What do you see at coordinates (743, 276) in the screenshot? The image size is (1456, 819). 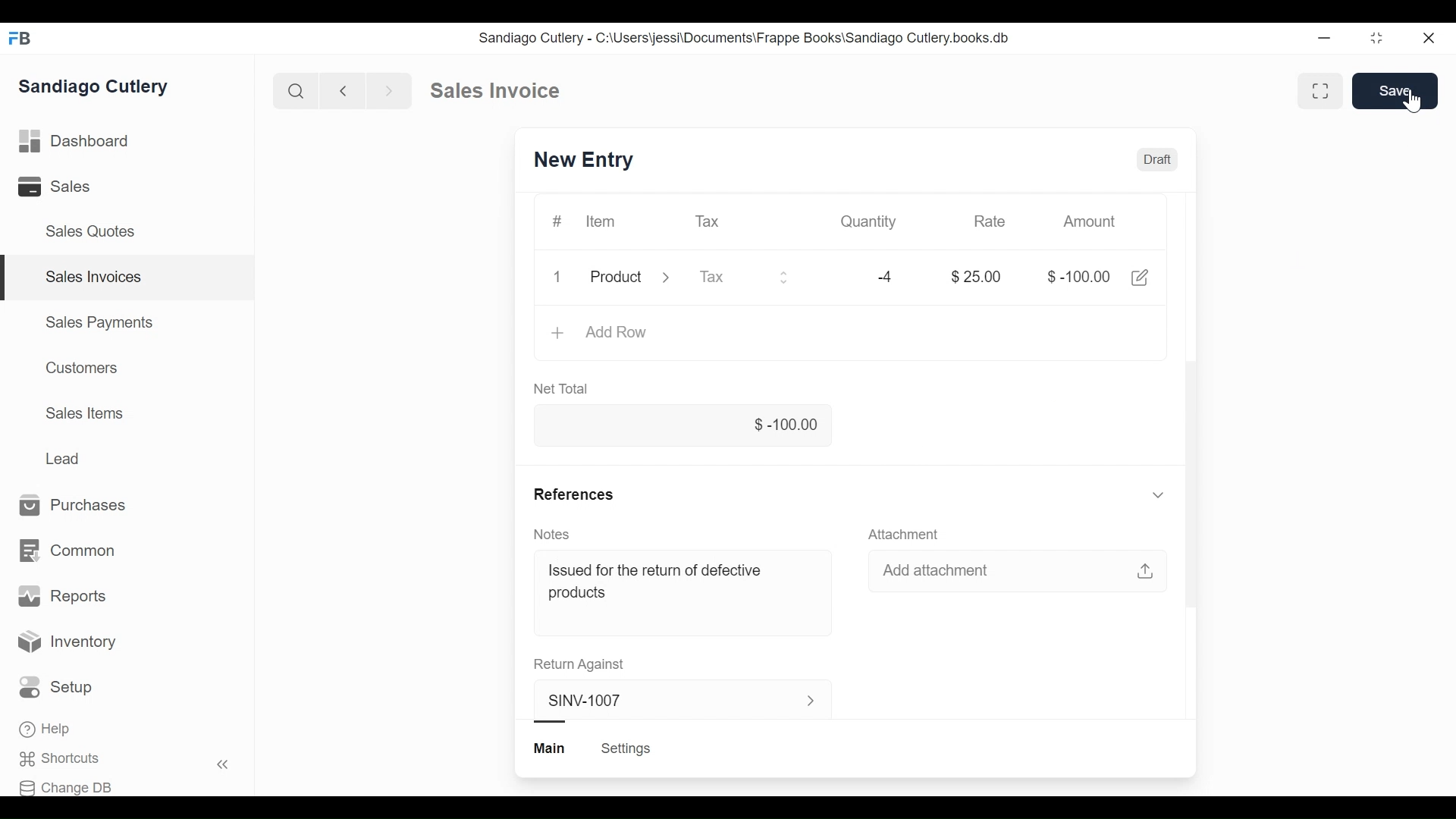 I see `Tax` at bounding box center [743, 276].